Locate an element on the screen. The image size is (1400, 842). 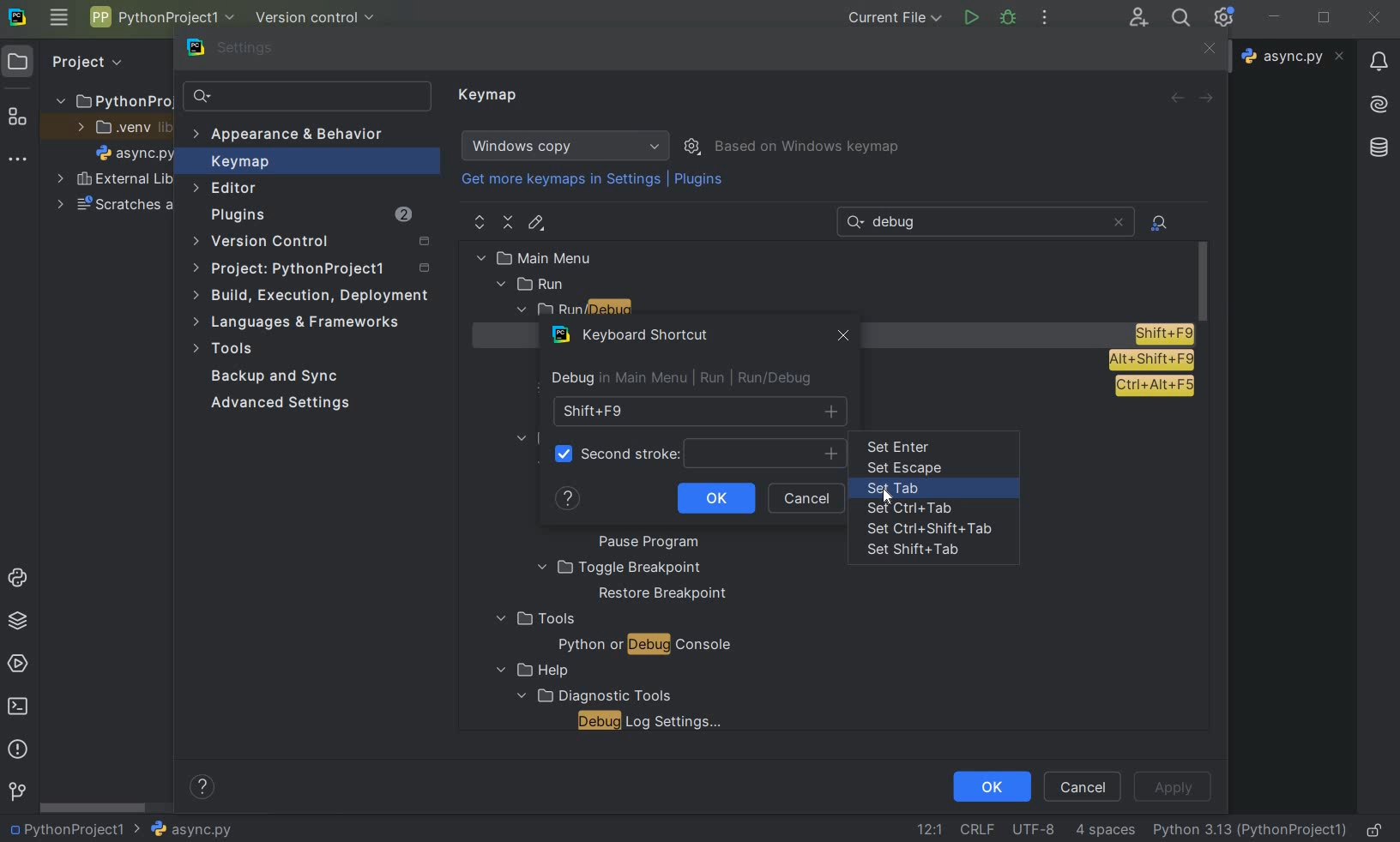
diagnostic tools is located at coordinates (592, 695).